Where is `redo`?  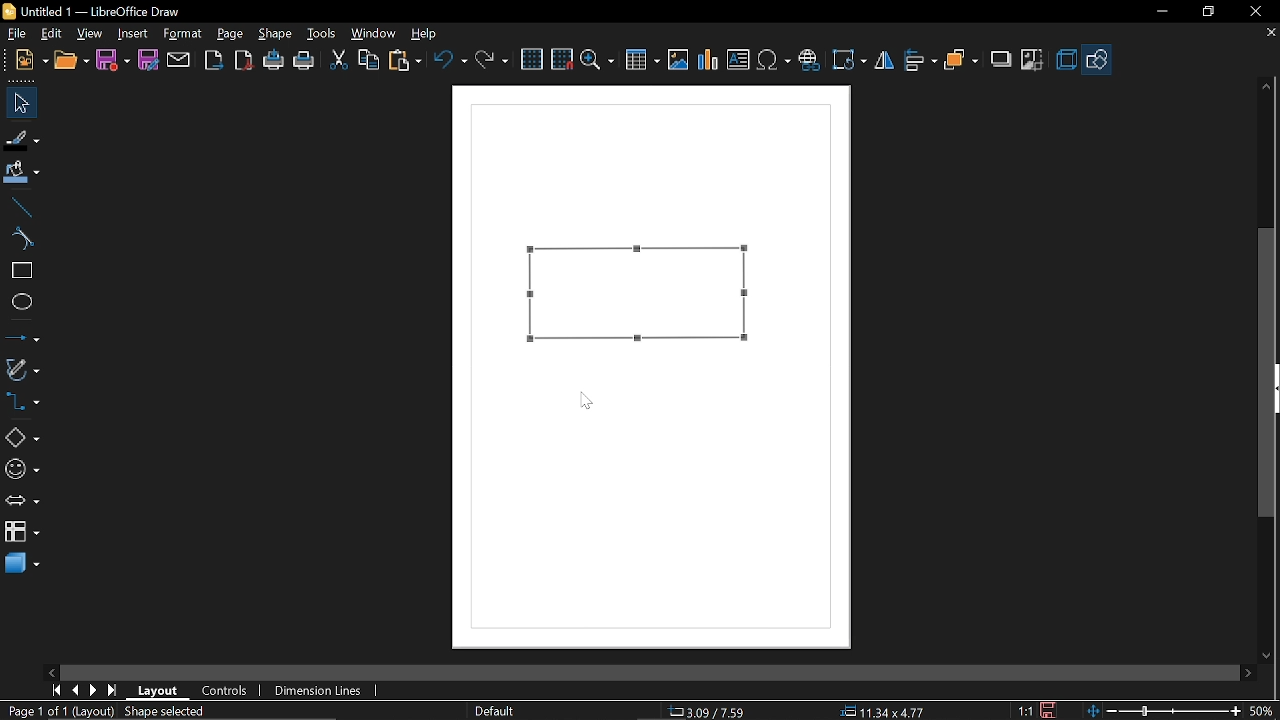 redo is located at coordinates (491, 62).